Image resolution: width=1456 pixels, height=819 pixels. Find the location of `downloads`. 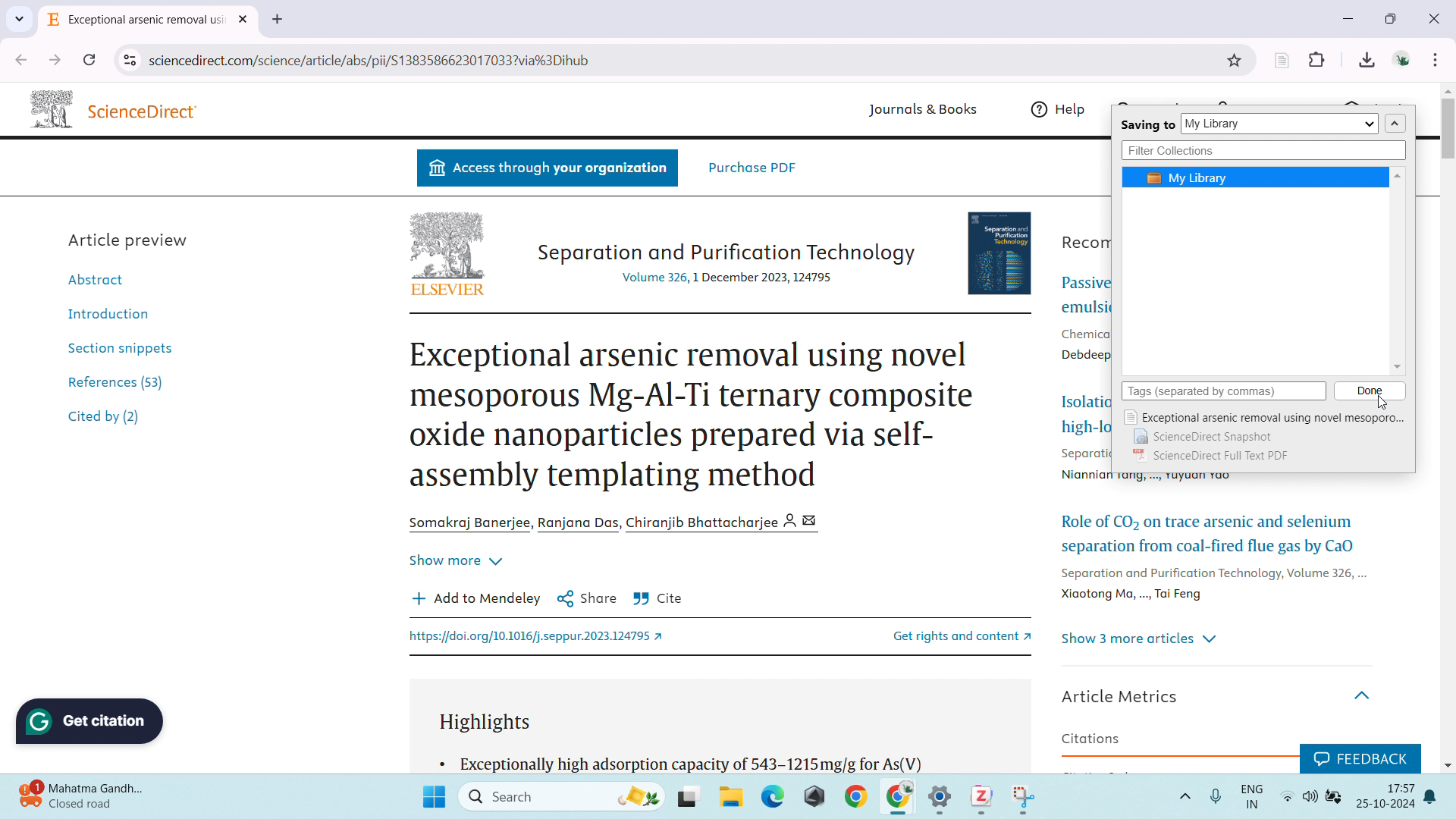

downloads is located at coordinates (1367, 58).